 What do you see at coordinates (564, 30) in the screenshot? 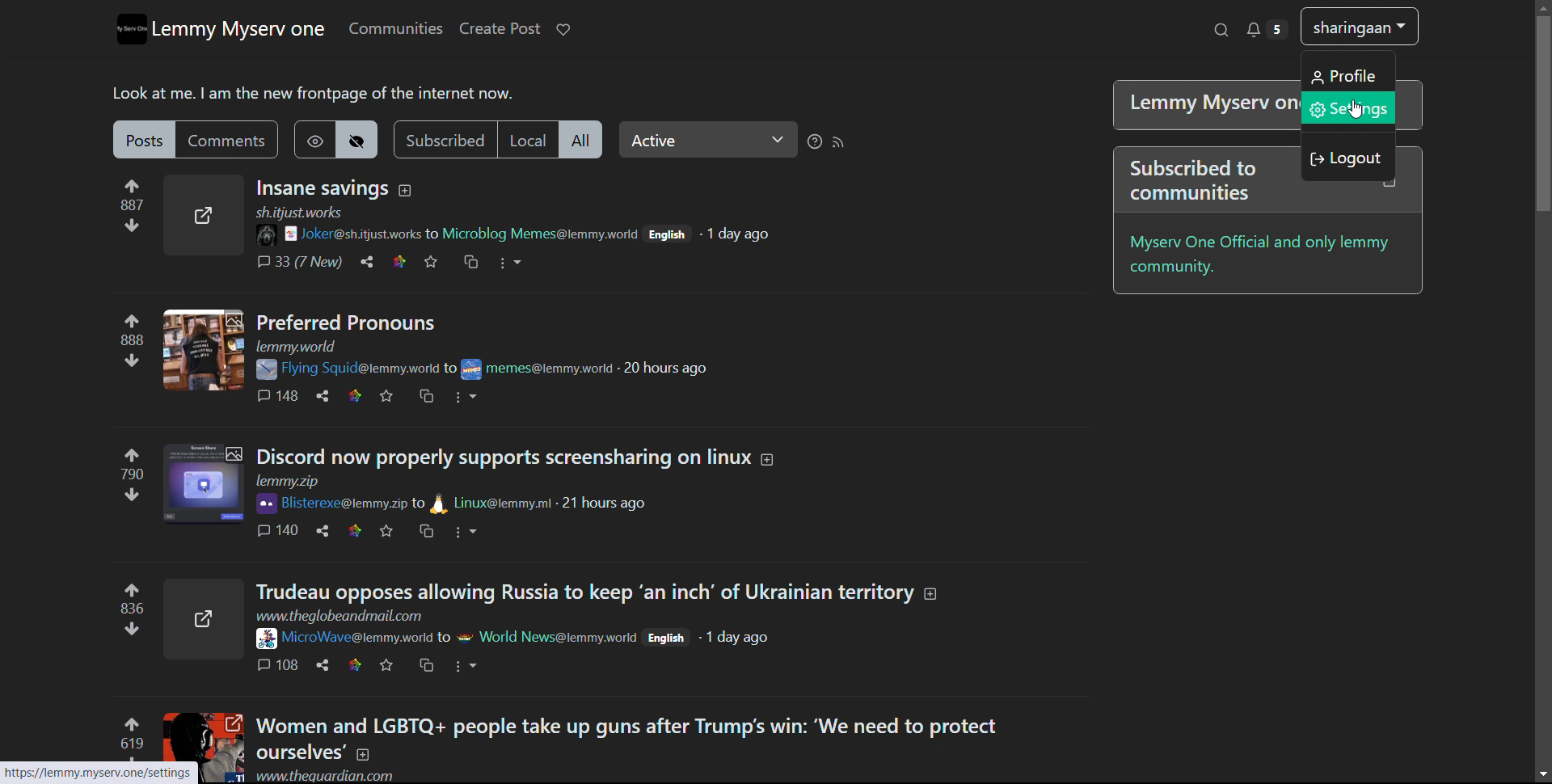
I see `donate to lemmy` at bounding box center [564, 30].